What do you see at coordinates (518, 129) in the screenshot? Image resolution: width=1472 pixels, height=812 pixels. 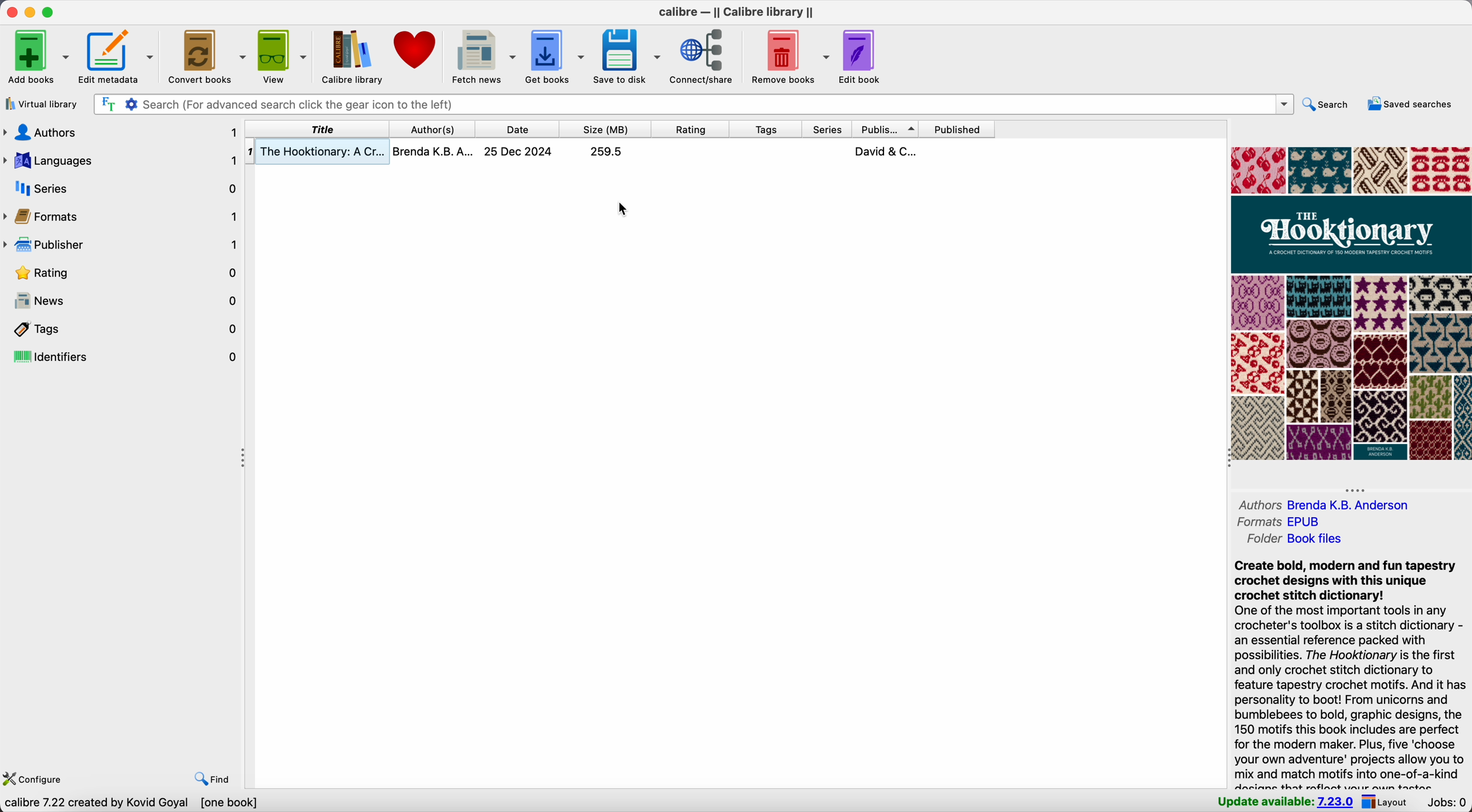 I see `date` at bounding box center [518, 129].